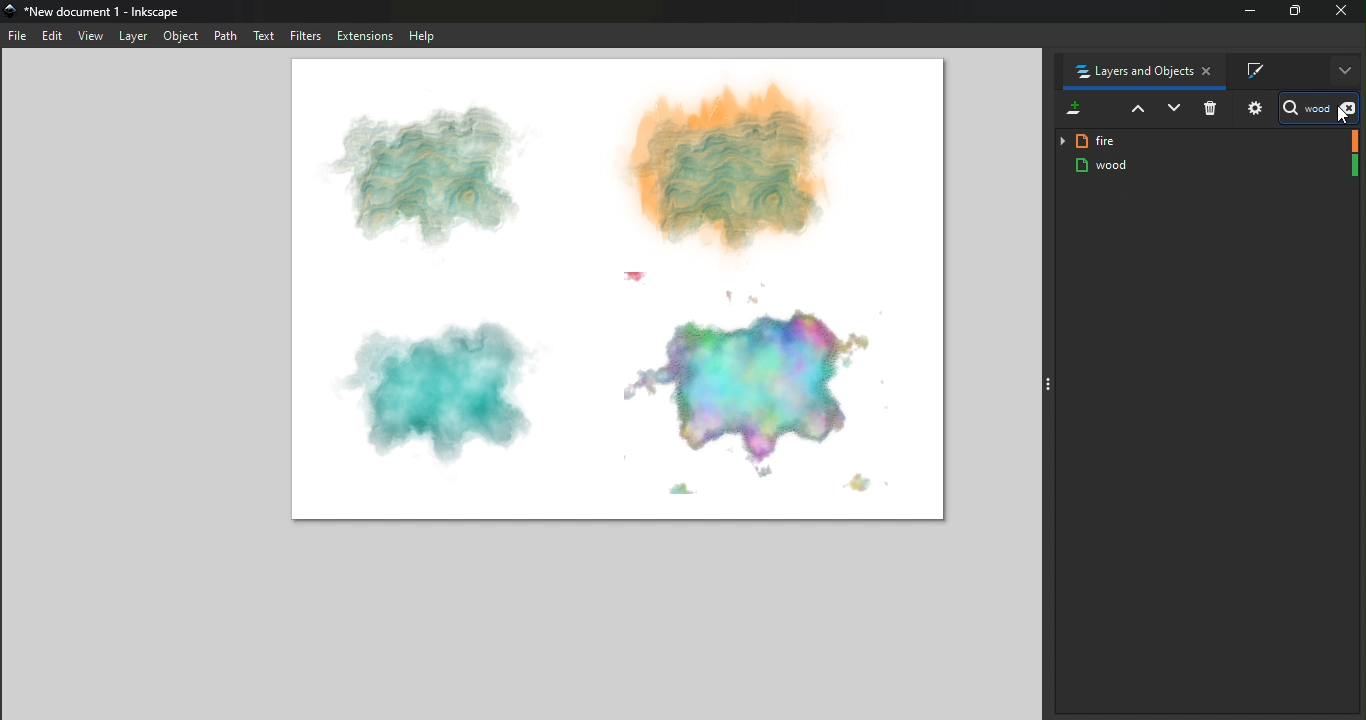 The width and height of the screenshot is (1366, 720). Describe the element at coordinates (11, 11) in the screenshot. I see `app icon` at that location.